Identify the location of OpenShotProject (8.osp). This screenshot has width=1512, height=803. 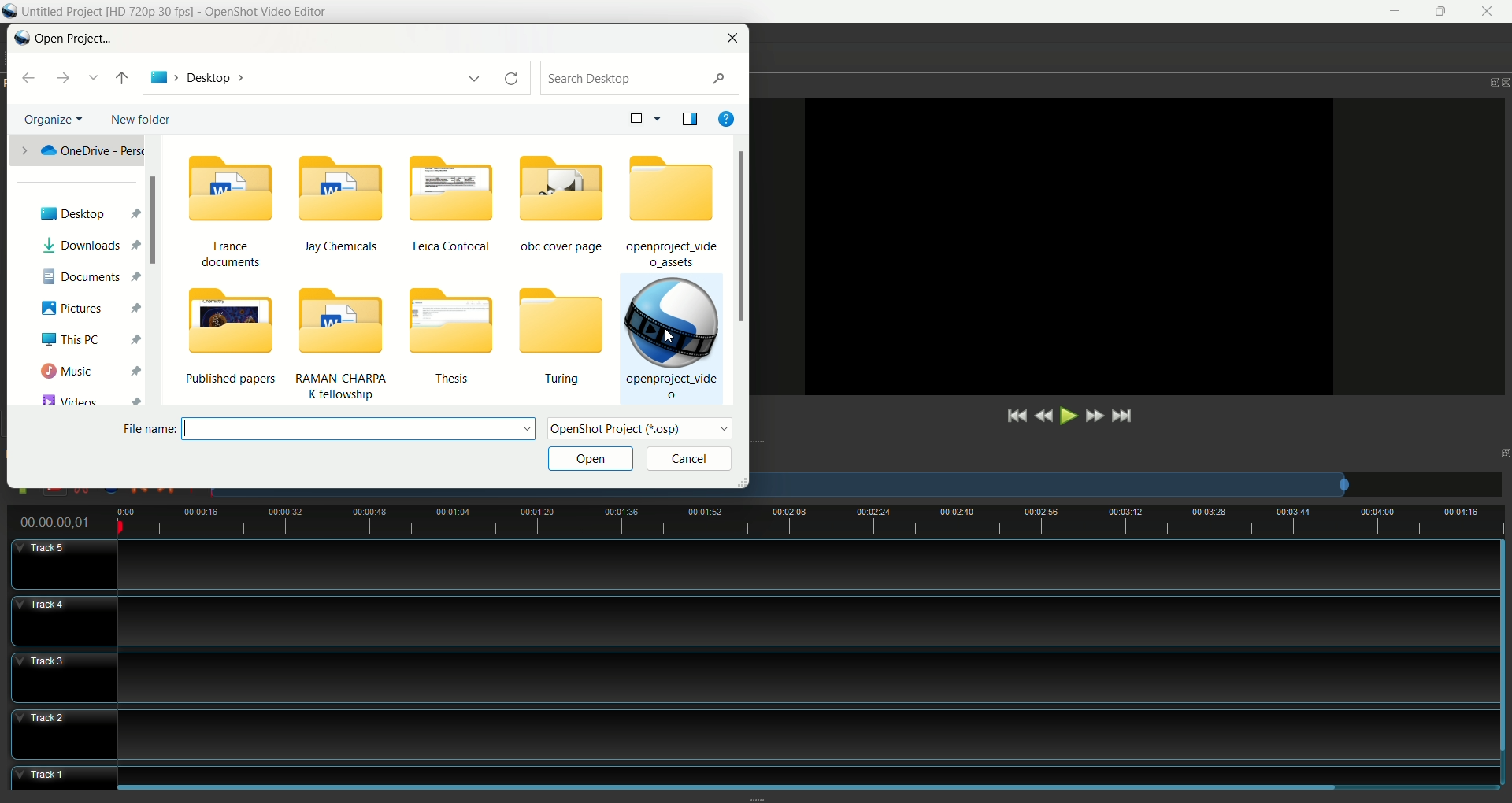
(643, 431).